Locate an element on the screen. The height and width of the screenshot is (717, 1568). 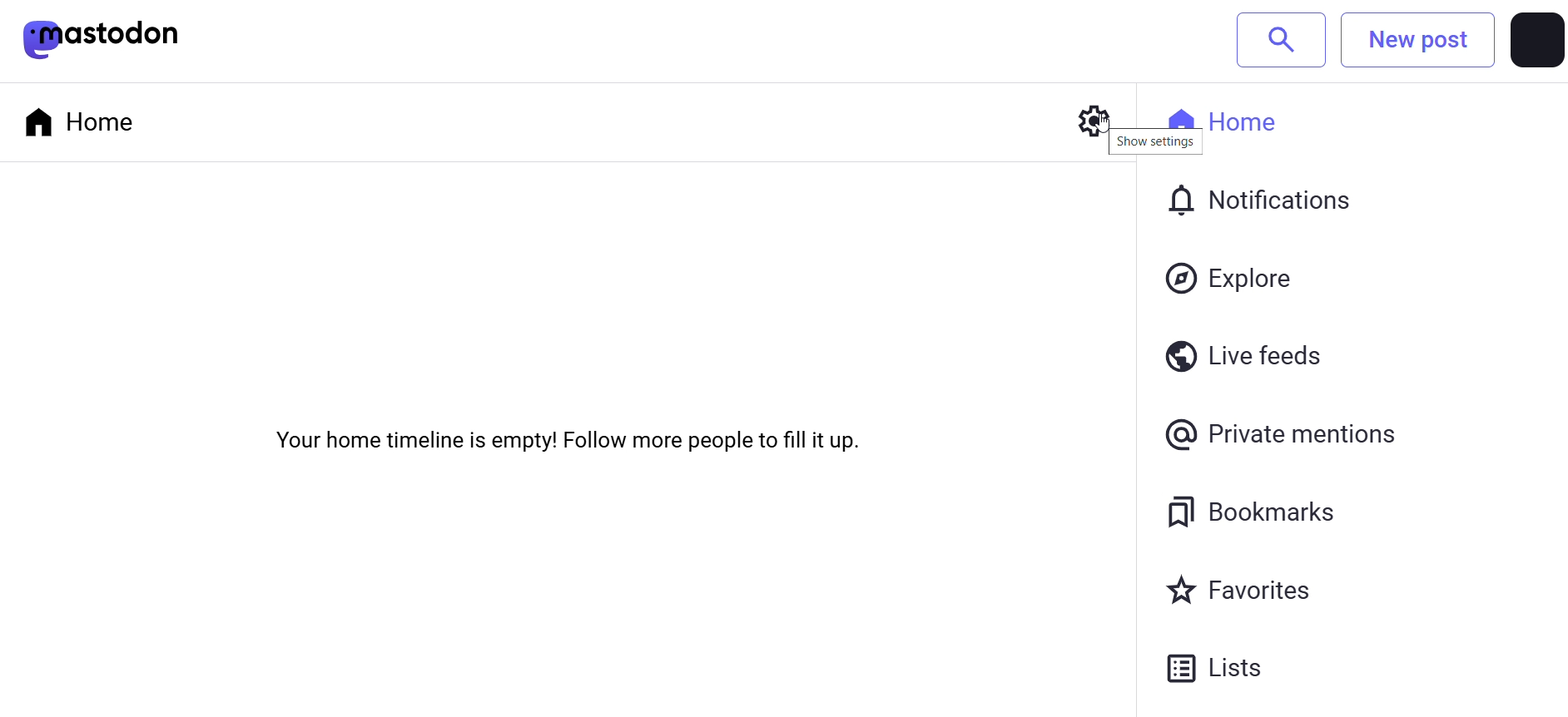
bookmarks is located at coordinates (1258, 514).